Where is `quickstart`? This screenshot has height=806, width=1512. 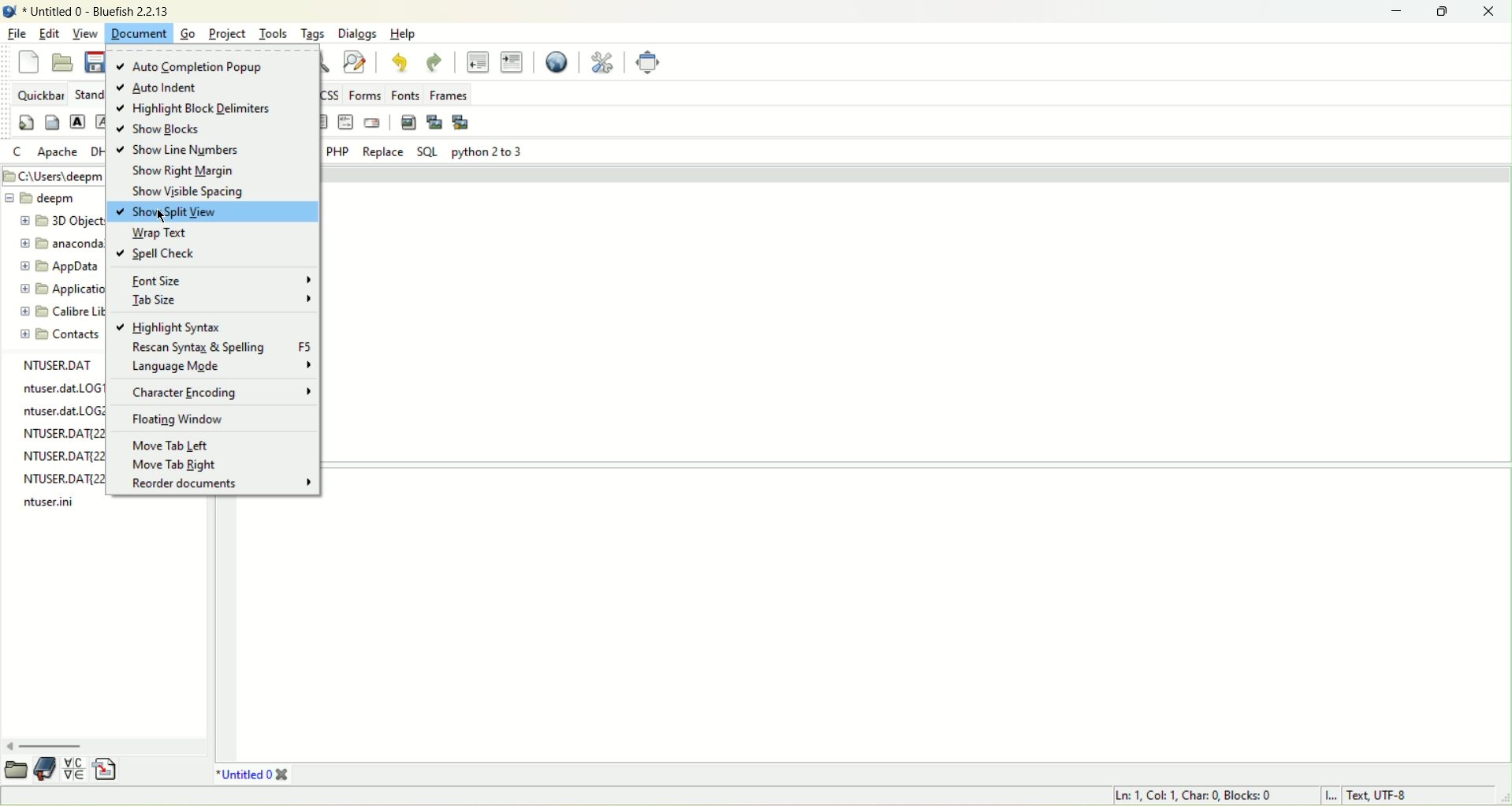
quickstart is located at coordinates (27, 122).